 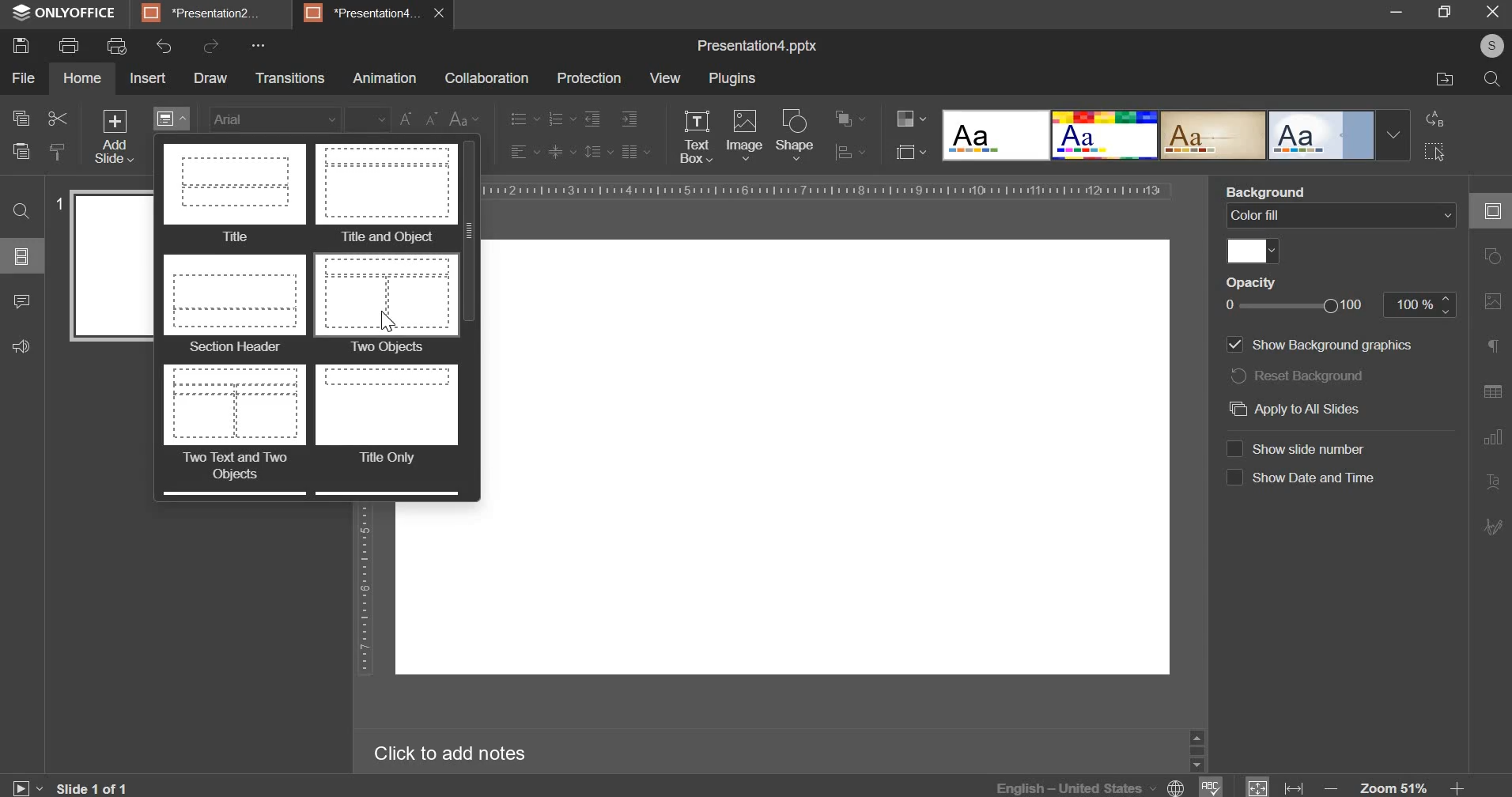 What do you see at coordinates (22, 46) in the screenshot?
I see `save` at bounding box center [22, 46].